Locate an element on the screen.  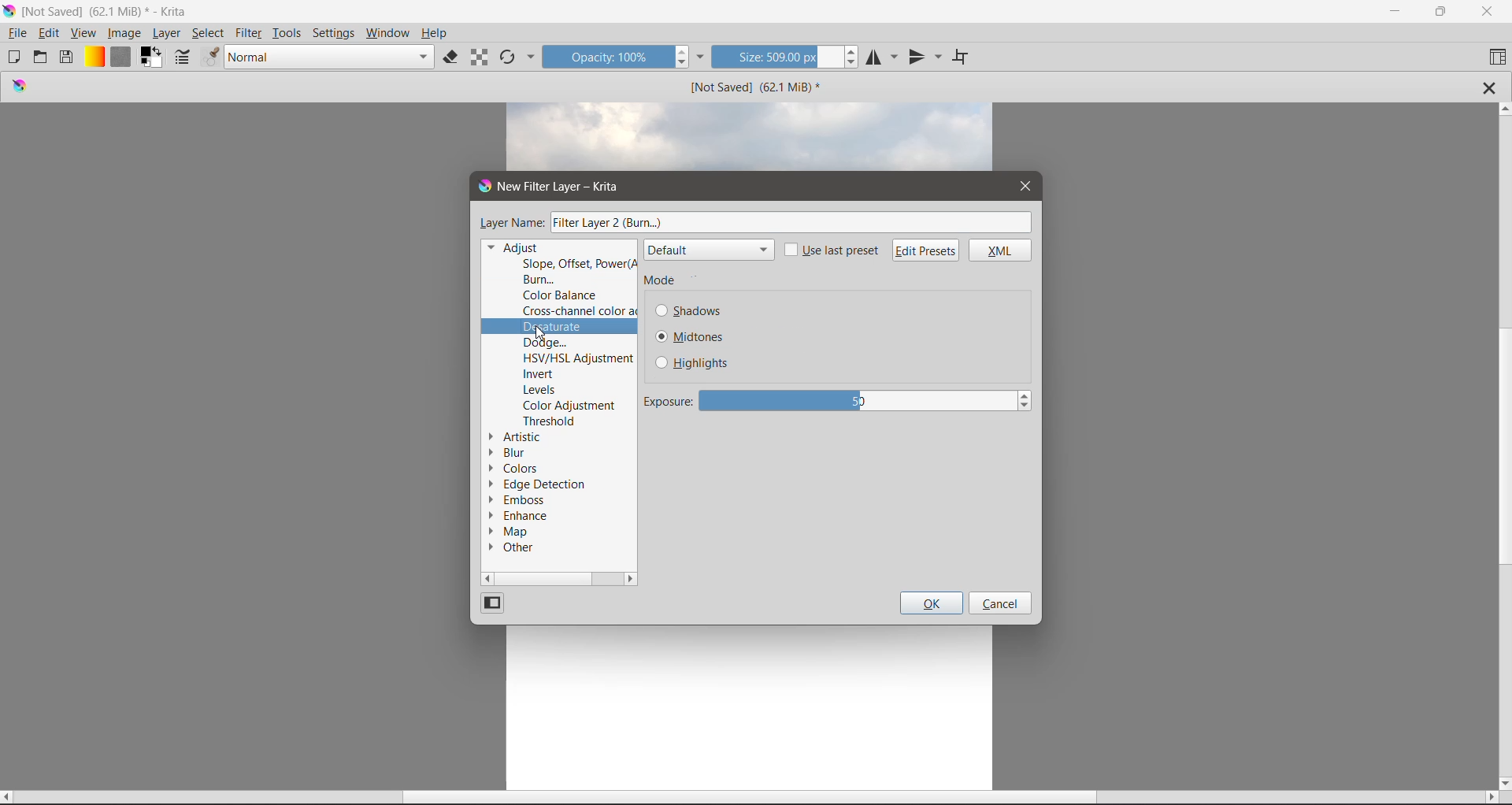
Fill Gradients is located at coordinates (95, 57).